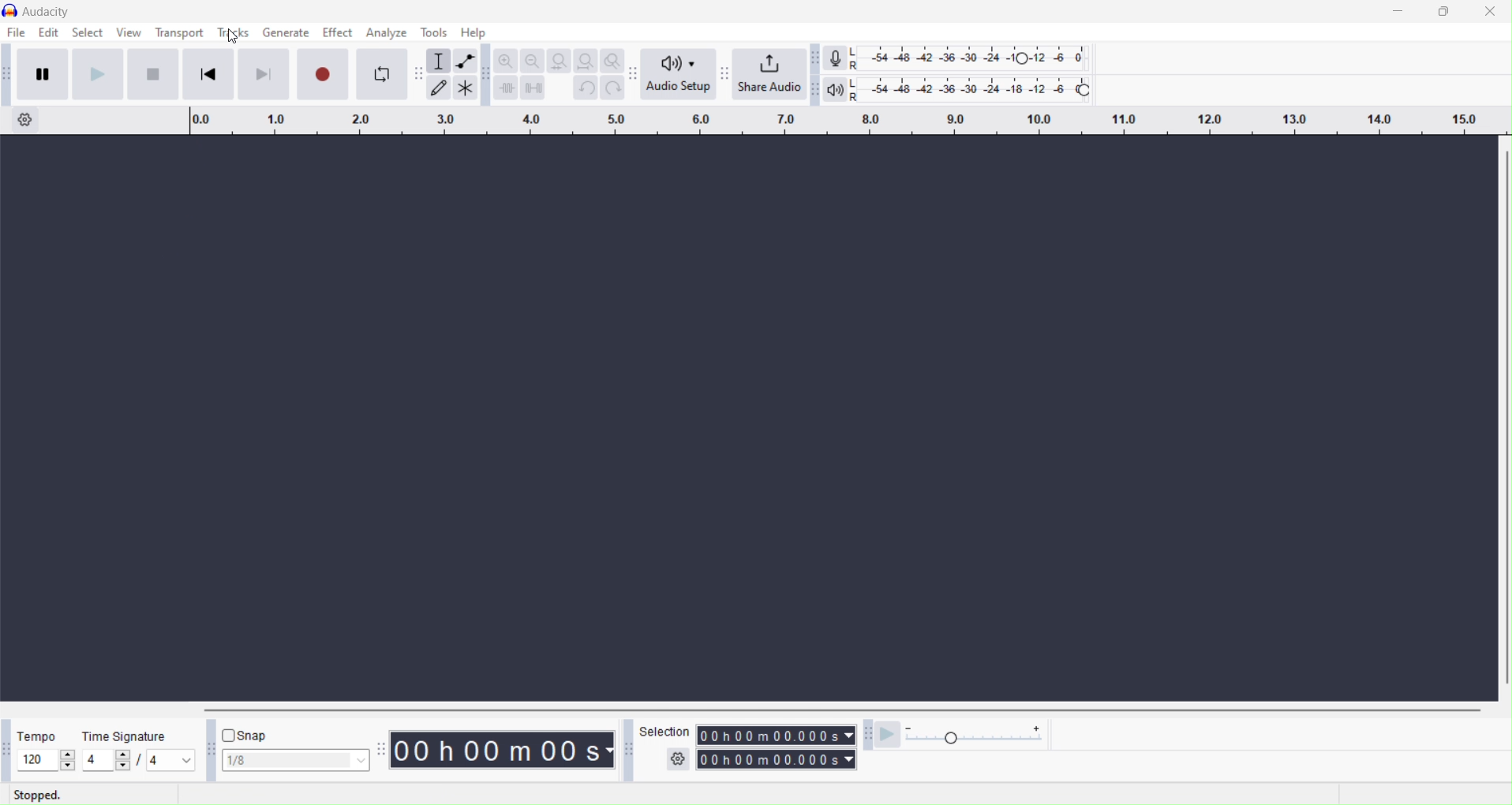  Describe the element at coordinates (68, 767) in the screenshot. I see `decrease tempo` at that location.